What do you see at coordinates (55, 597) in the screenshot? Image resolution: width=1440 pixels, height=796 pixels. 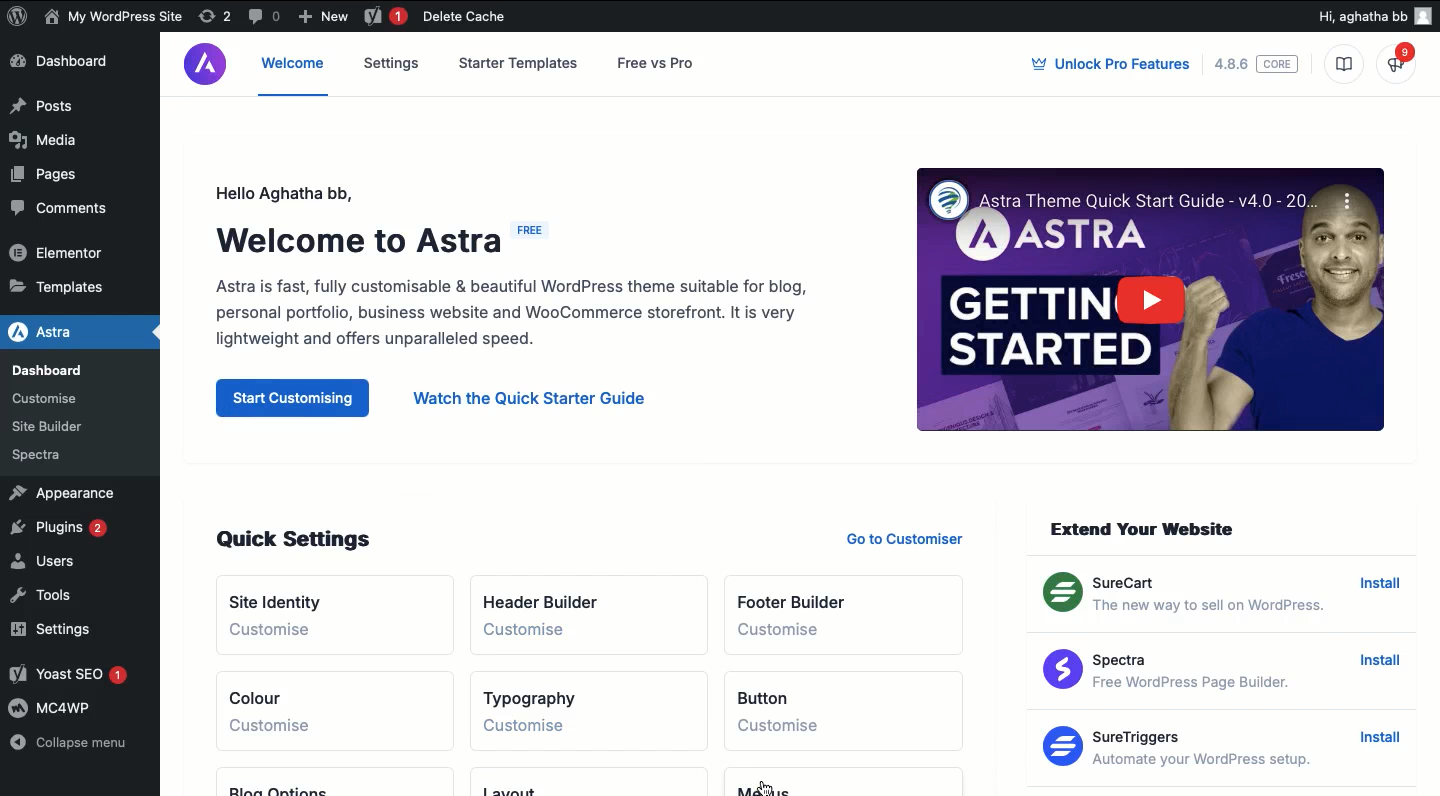 I see ` Tools` at bounding box center [55, 597].